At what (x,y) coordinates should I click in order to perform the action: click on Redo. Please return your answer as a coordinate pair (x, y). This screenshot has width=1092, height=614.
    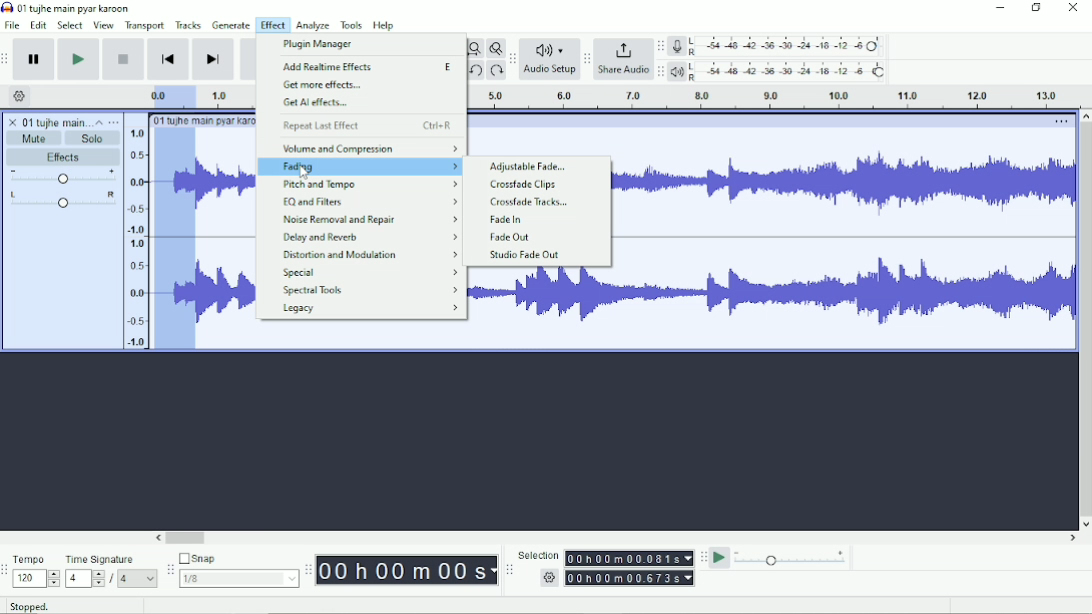
    Looking at the image, I should click on (496, 72).